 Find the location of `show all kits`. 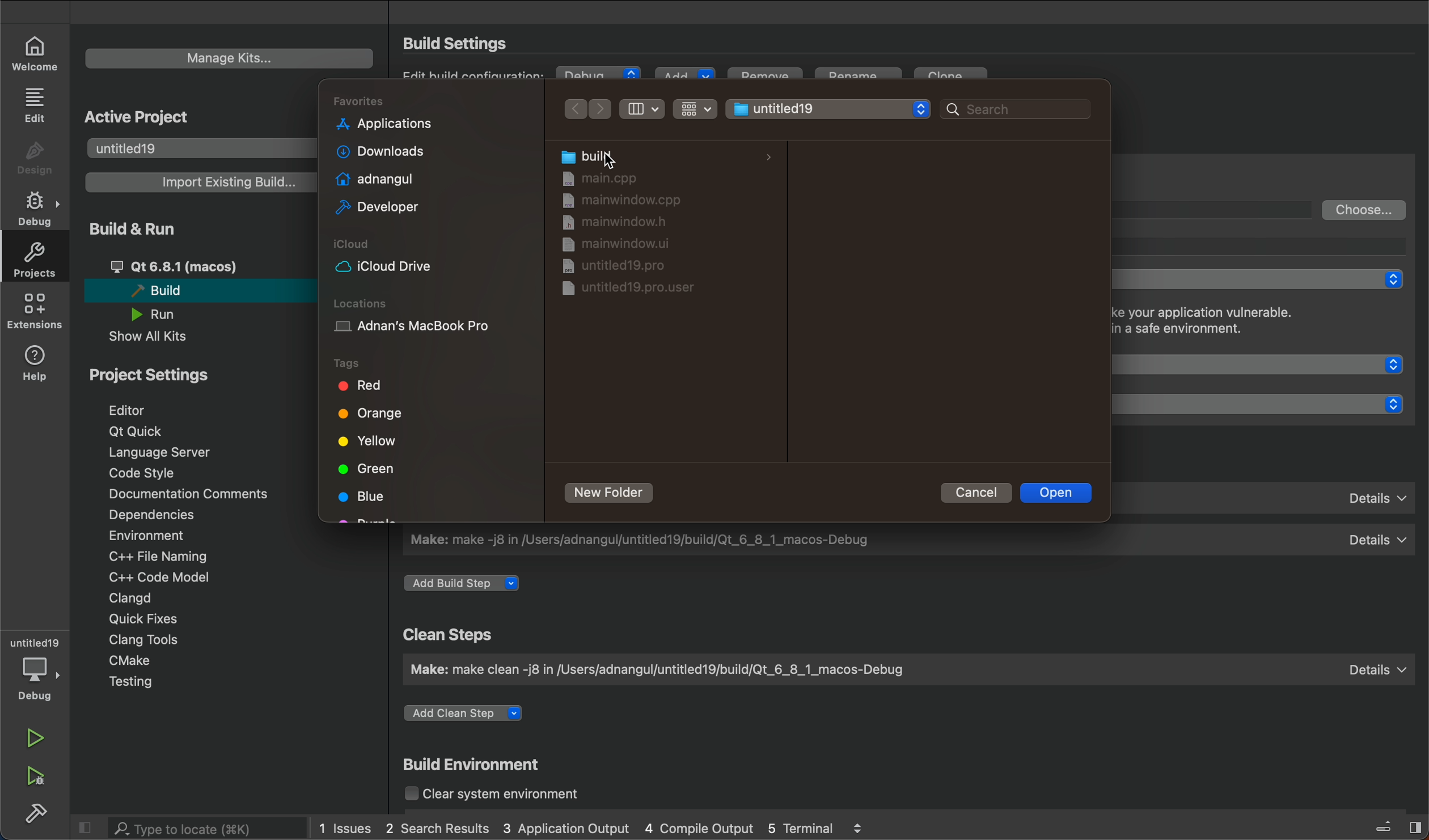

show all kits is located at coordinates (162, 337).